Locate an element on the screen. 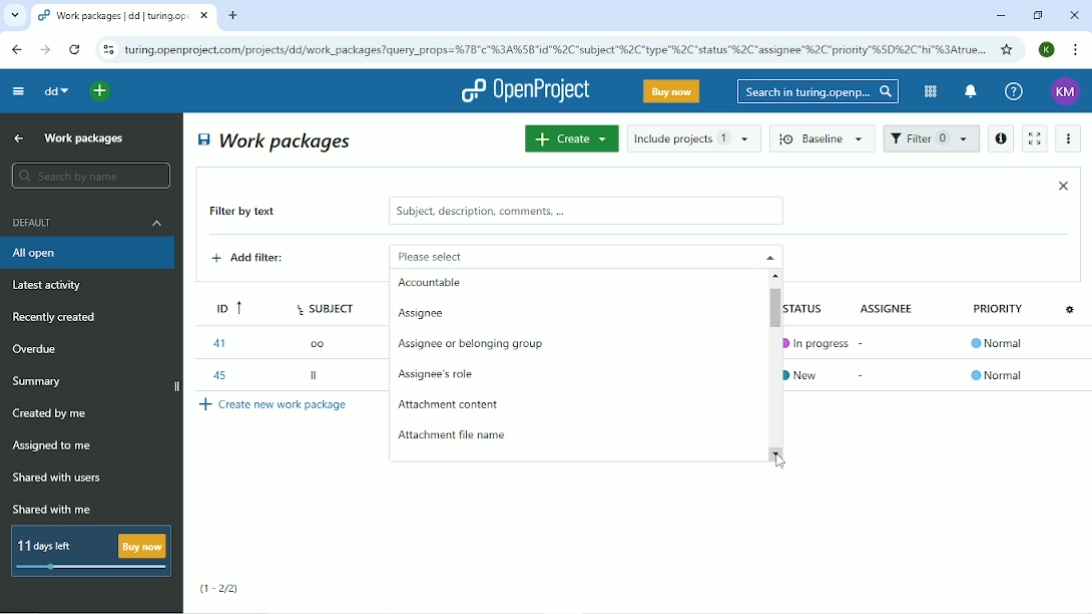 The image size is (1092, 614). Create new work package is located at coordinates (275, 404).